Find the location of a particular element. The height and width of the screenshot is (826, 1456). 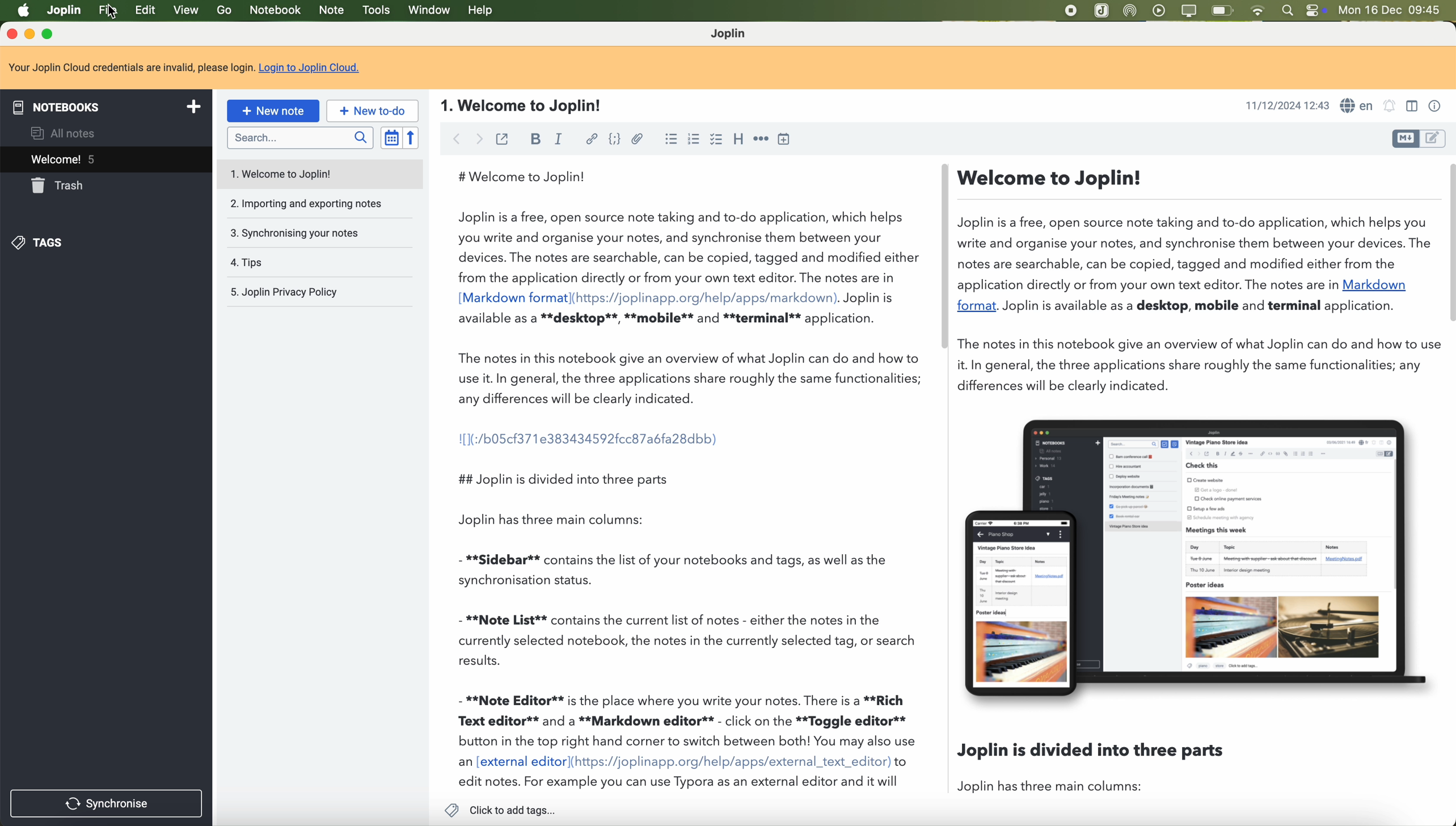

toggle editors is located at coordinates (1403, 139).